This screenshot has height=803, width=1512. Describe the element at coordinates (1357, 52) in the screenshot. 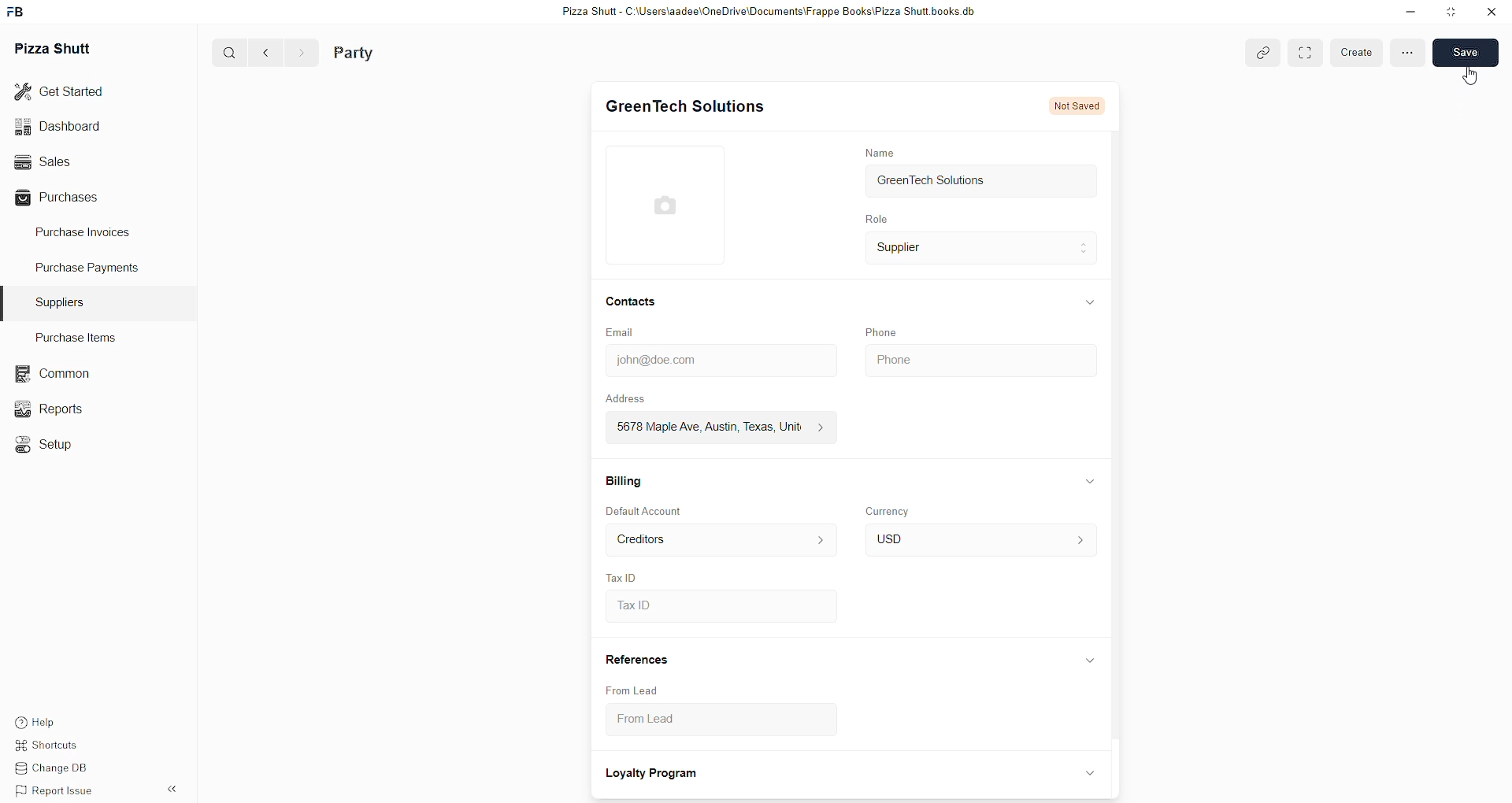

I see `create` at that location.